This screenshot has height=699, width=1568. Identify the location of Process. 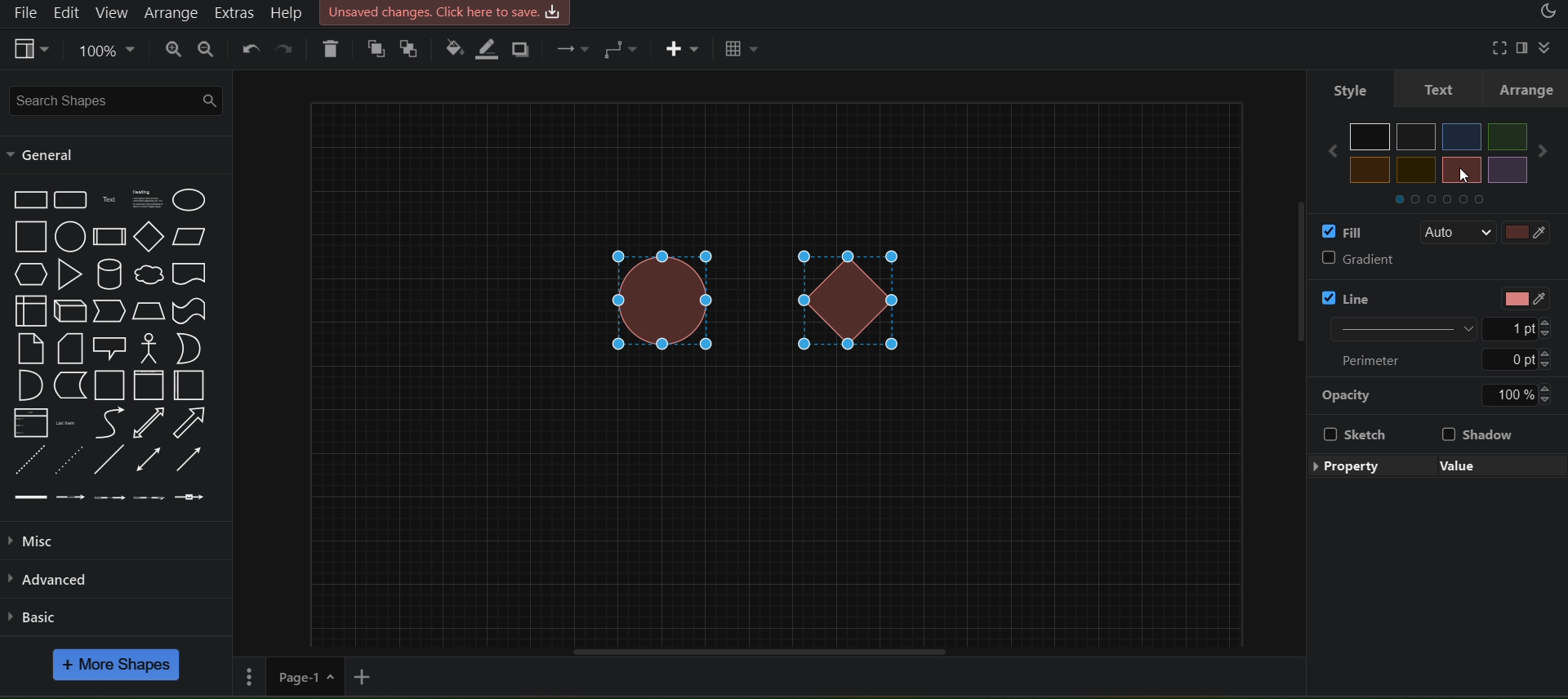
(109, 236).